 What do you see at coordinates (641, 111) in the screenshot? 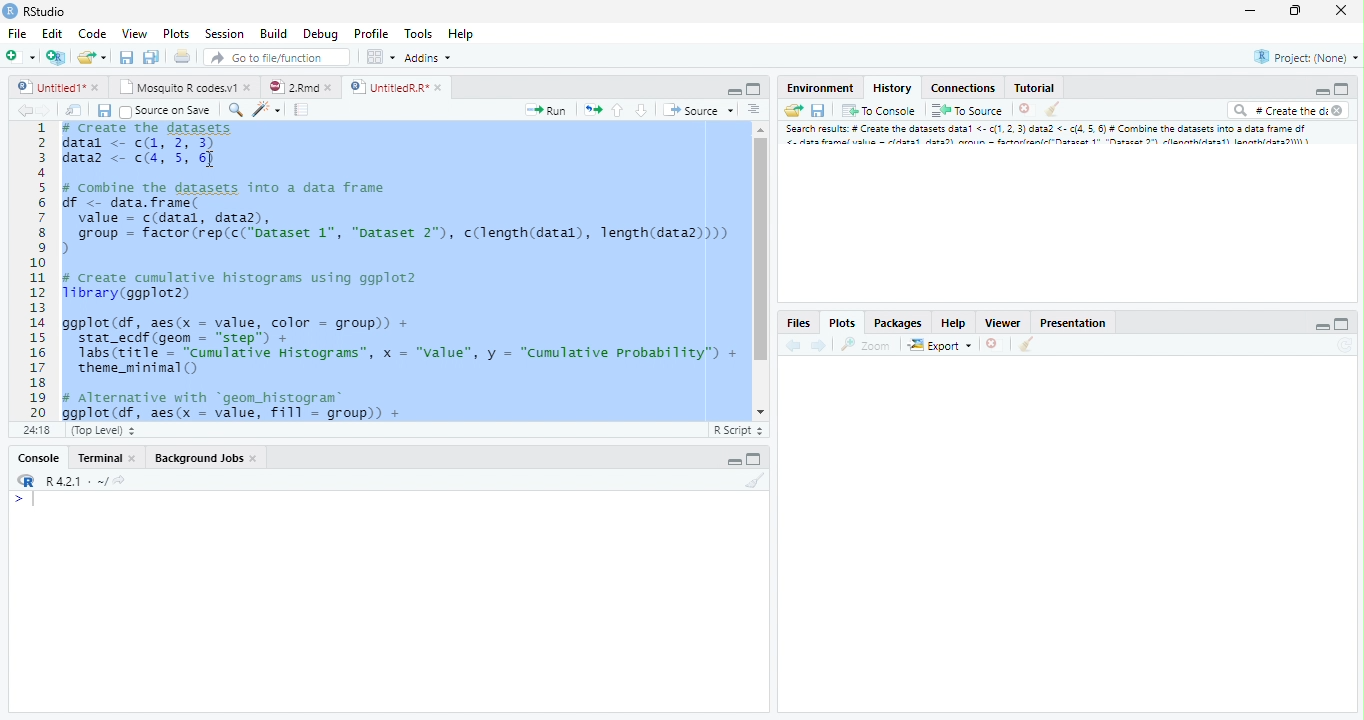
I see `Go to the next section/chunk` at bounding box center [641, 111].